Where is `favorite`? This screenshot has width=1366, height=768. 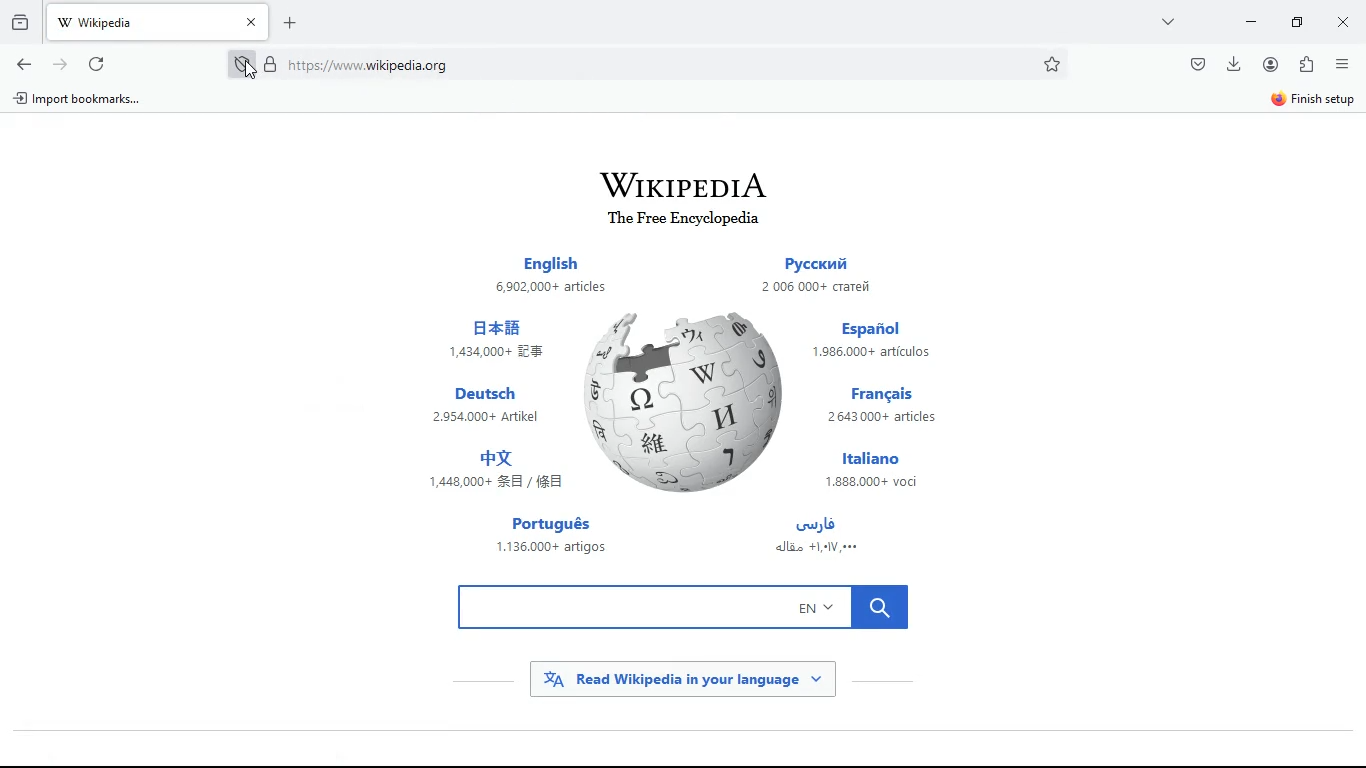
favorite is located at coordinates (1052, 65).